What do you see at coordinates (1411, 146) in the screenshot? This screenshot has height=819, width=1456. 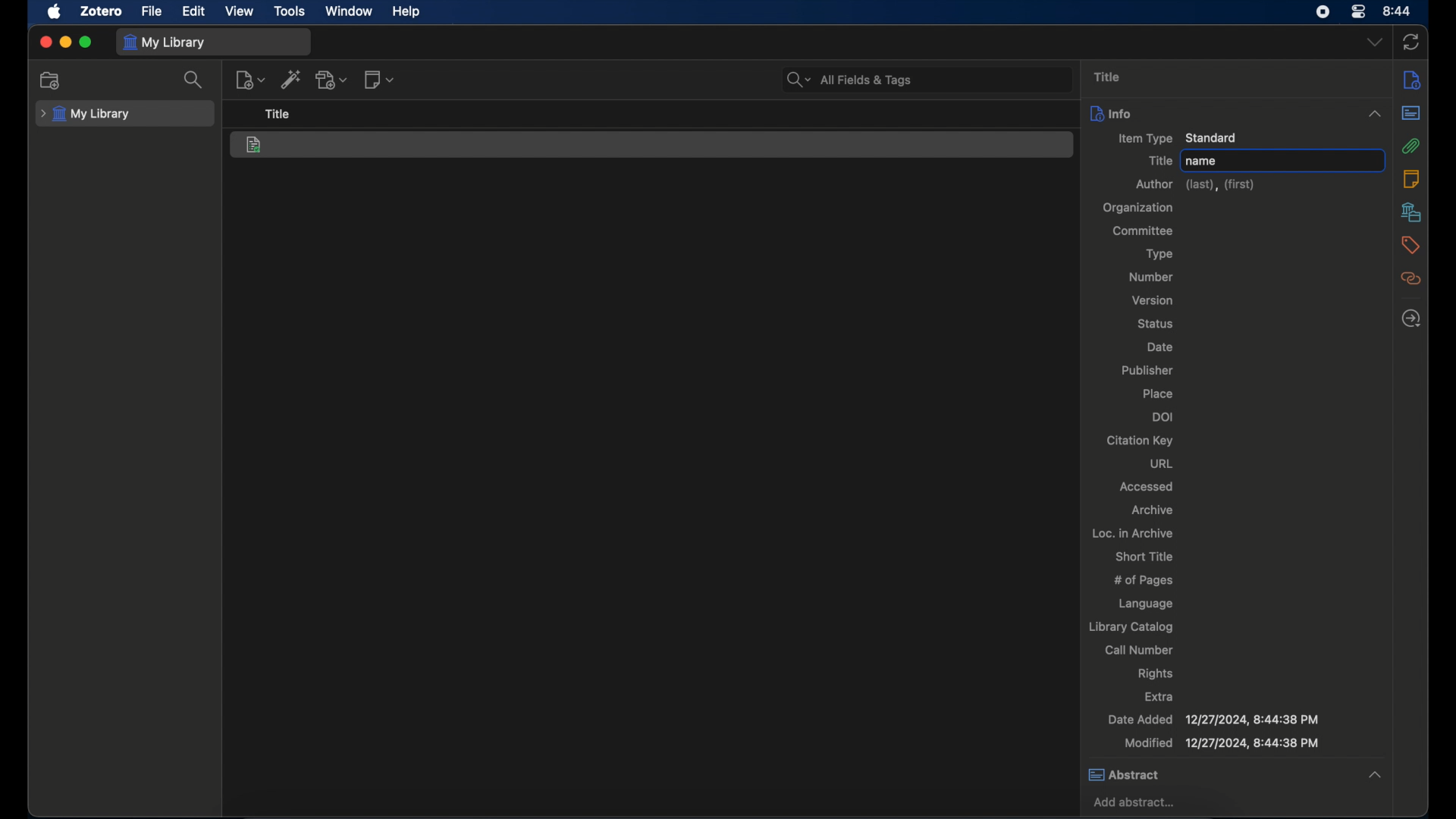 I see `attachments` at bounding box center [1411, 146].